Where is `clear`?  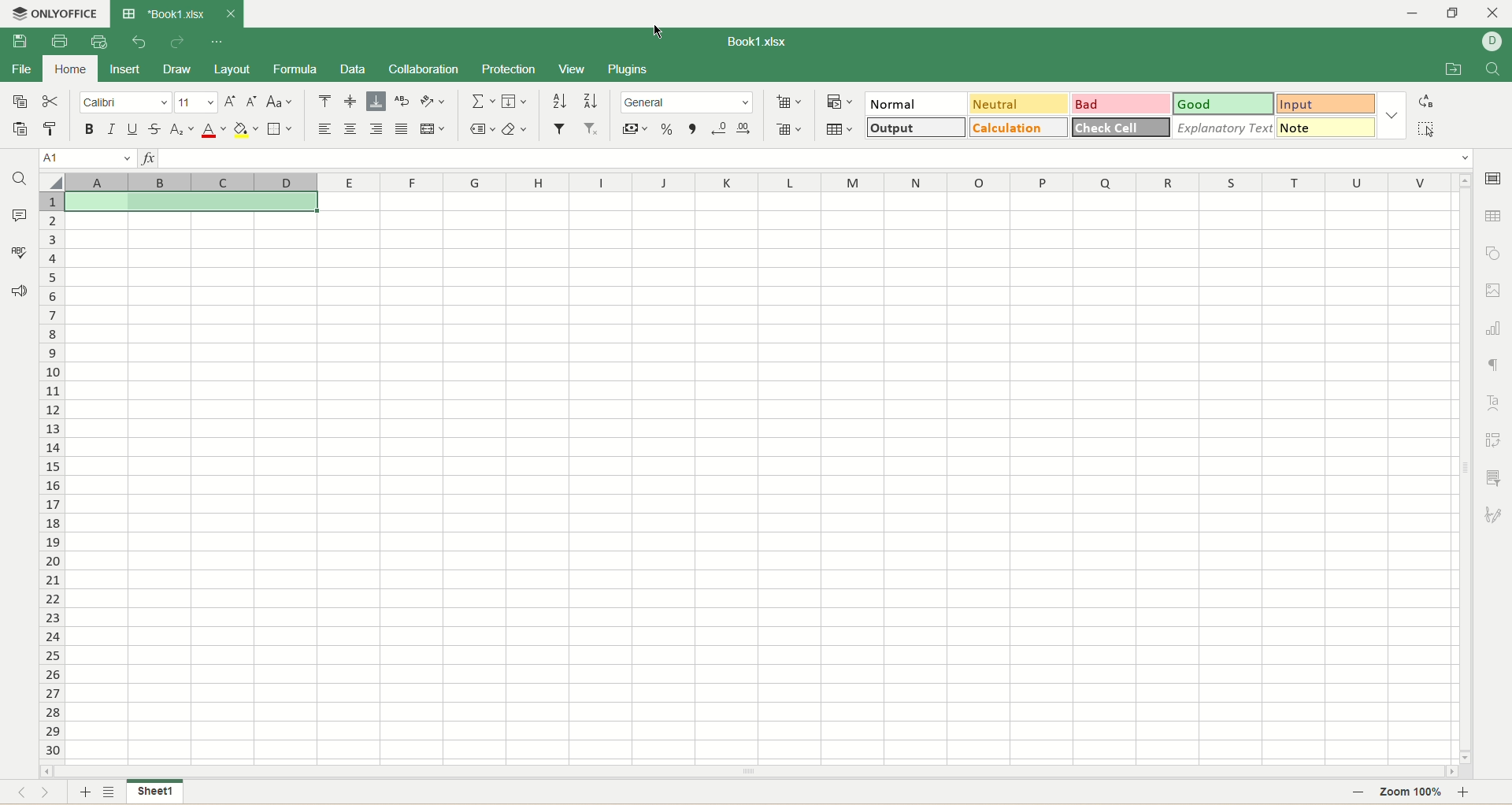 clear is located at coordinates (514, 128).